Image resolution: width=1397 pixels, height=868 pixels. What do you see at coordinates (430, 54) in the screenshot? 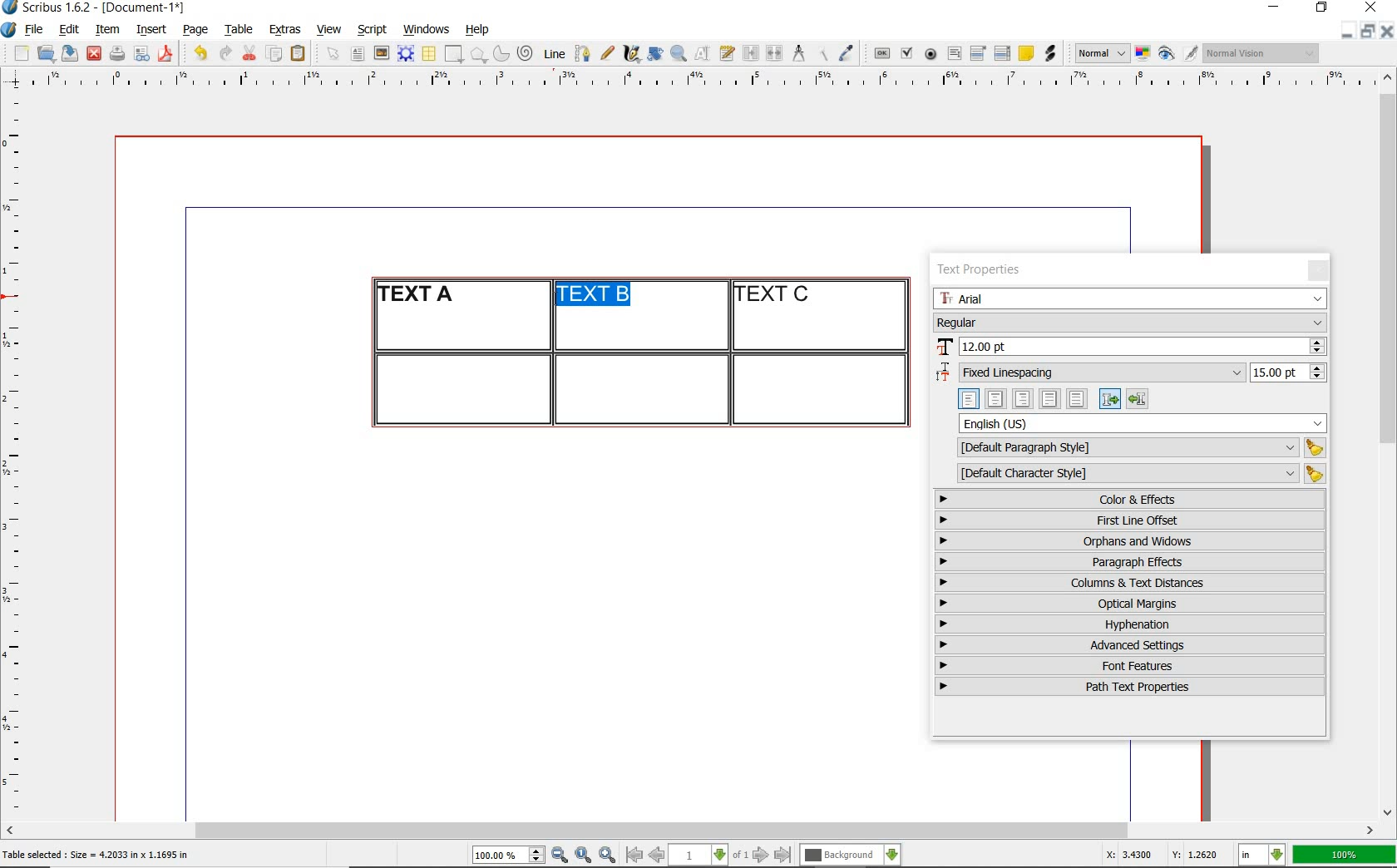
I see `table` at bounding box center [430, 54].